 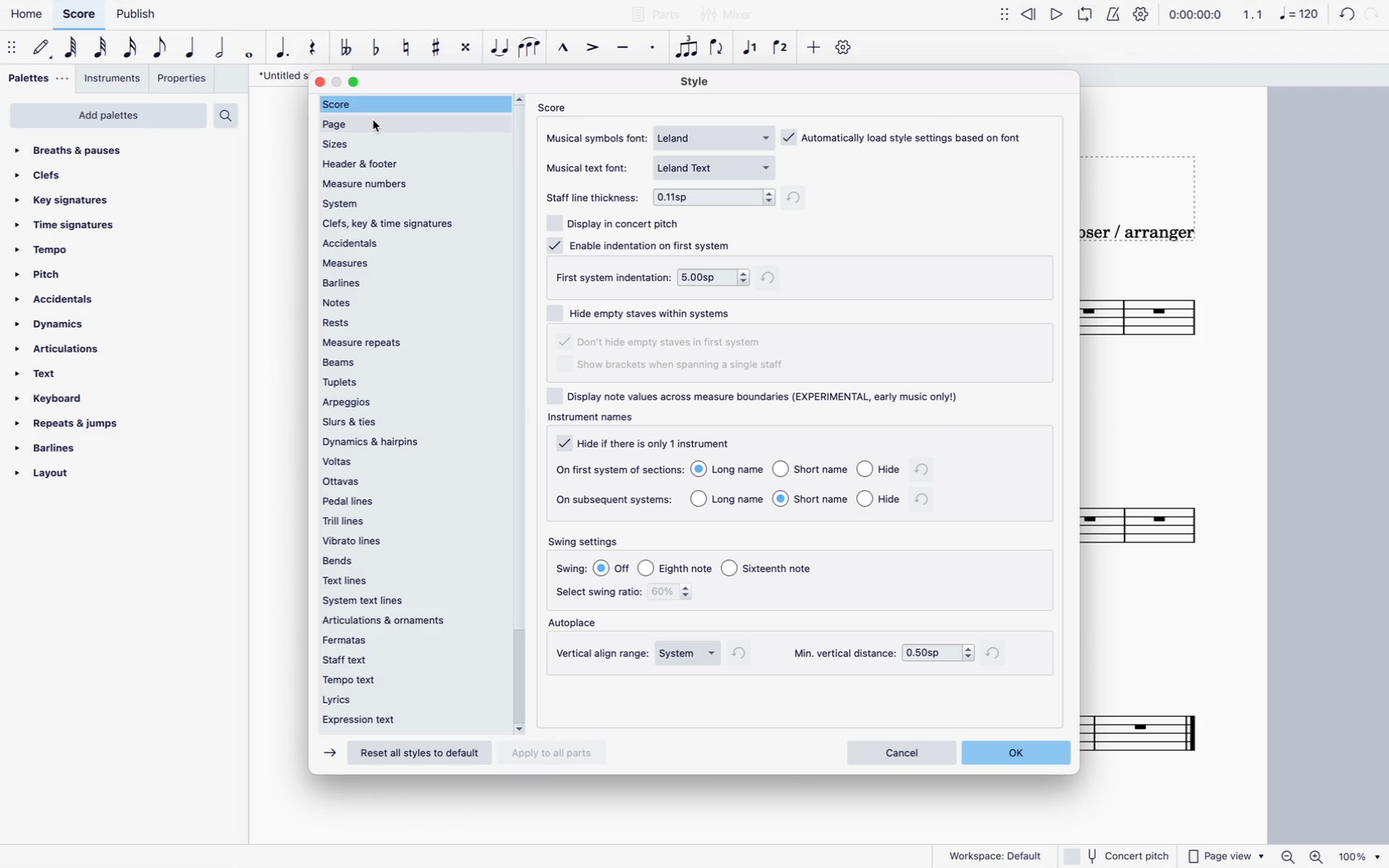 I want to click on playback settings, so click(x=1141, y=16).